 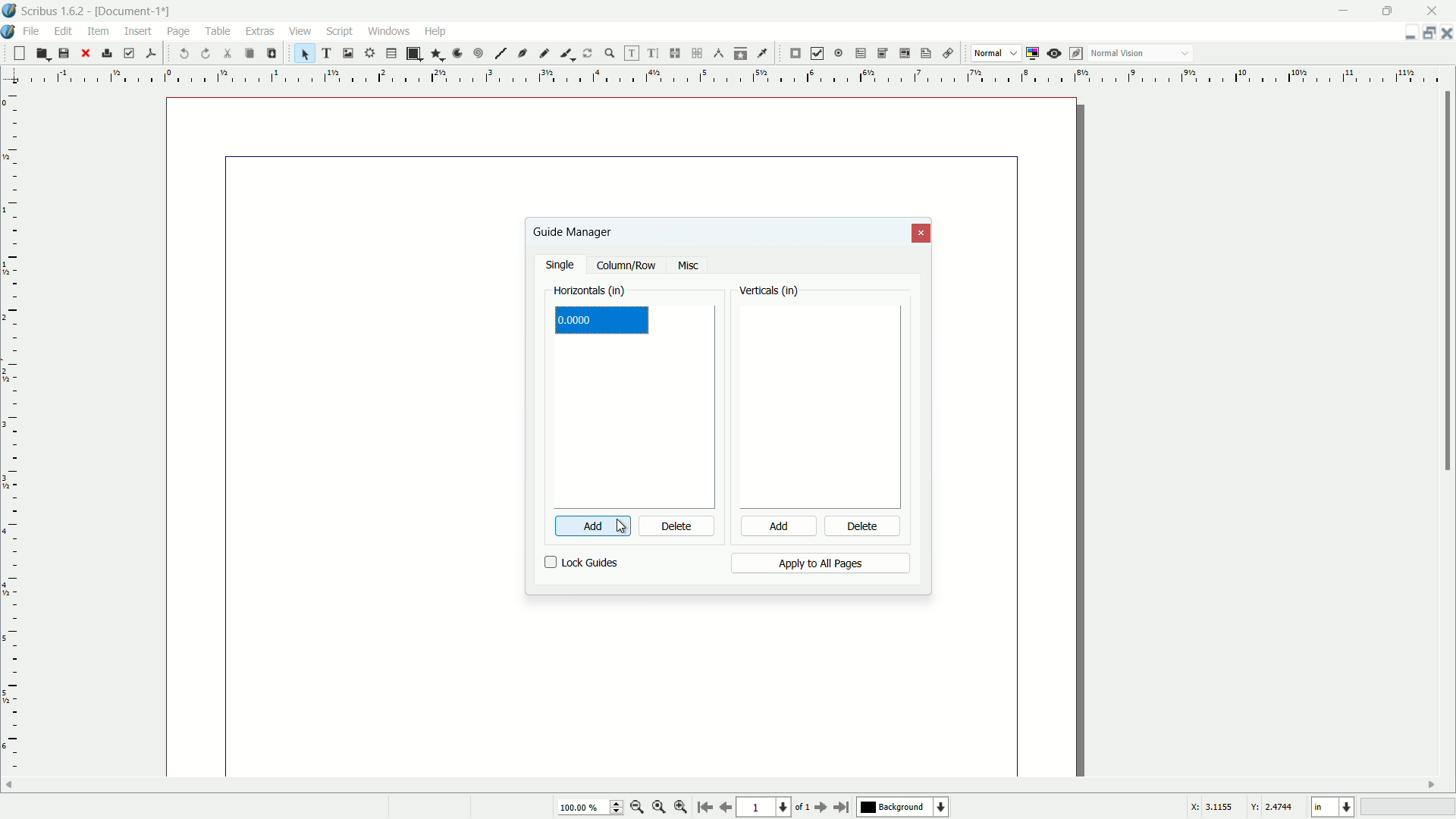 What do you see at coordinates (185, 54) in the screenshot?
I see `undo` at bounding box center [185, 54].